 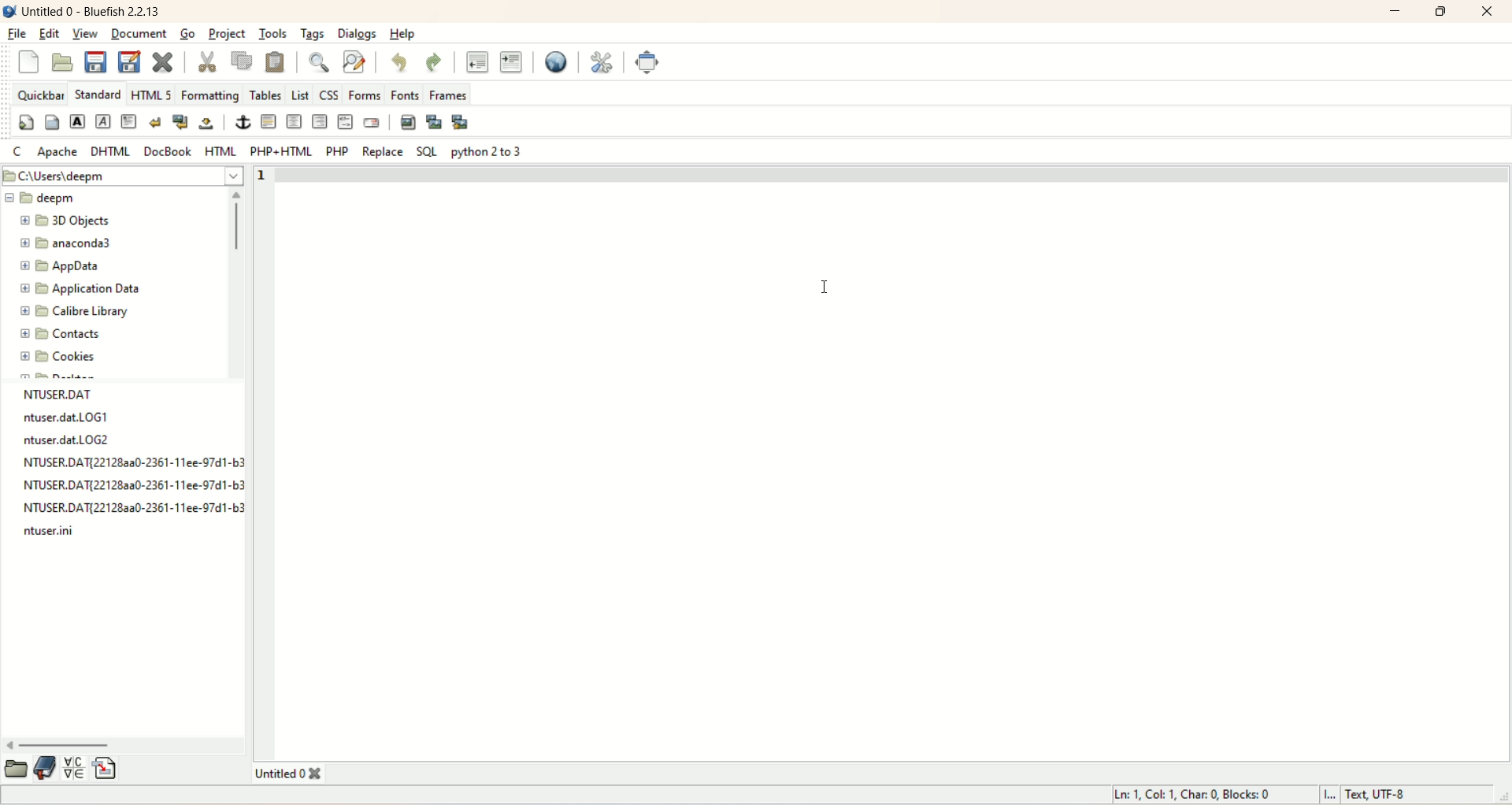 I want to click on advance find and replace, so click(x=353, y=62).